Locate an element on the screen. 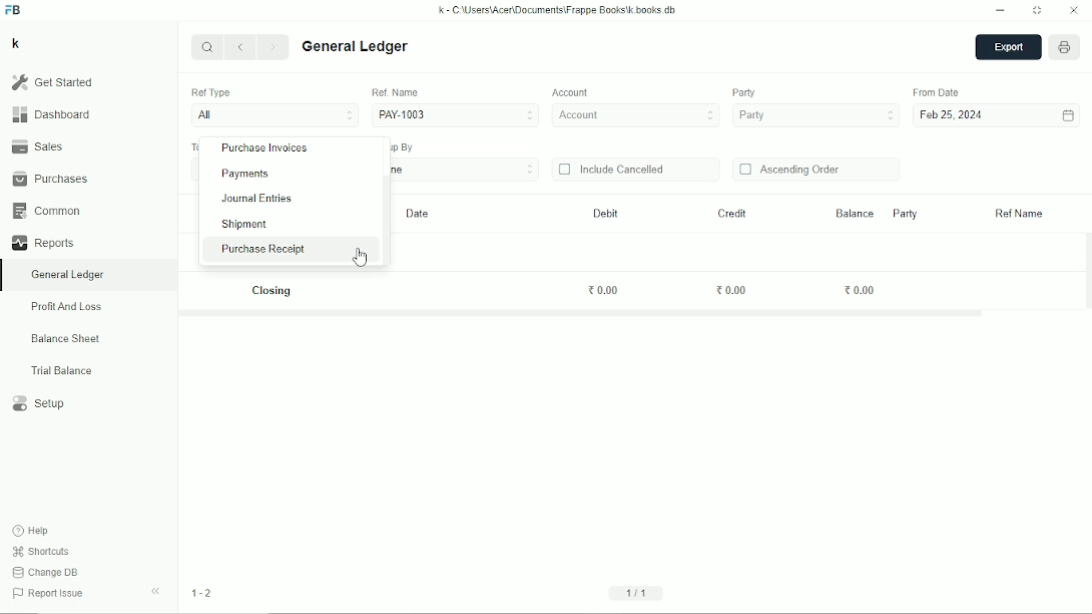 The image size is (1092, 614). 0.00 is located at coordinates (605, 290).